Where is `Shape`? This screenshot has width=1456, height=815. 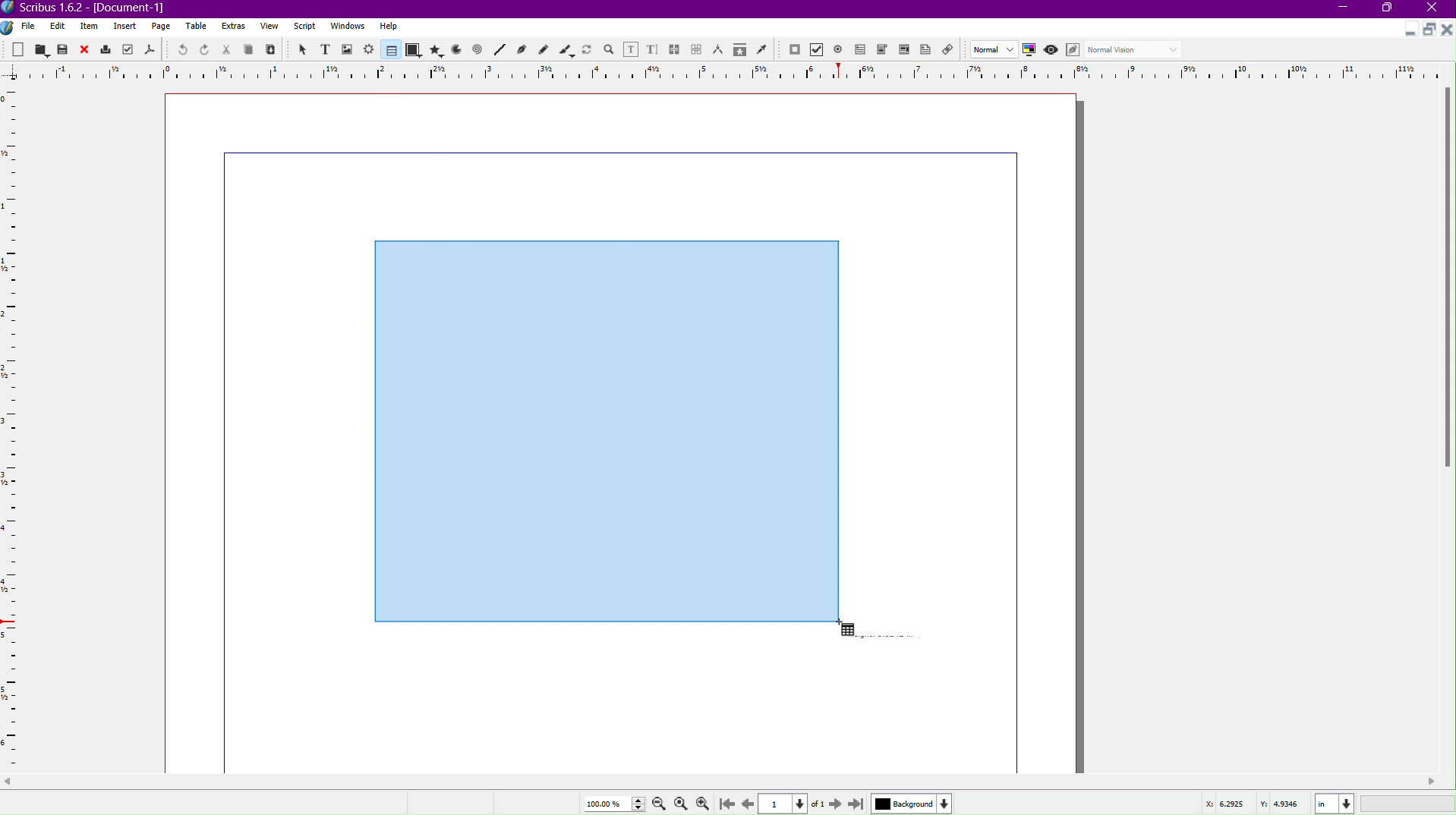 Shape is located at coordinates (414, 51).